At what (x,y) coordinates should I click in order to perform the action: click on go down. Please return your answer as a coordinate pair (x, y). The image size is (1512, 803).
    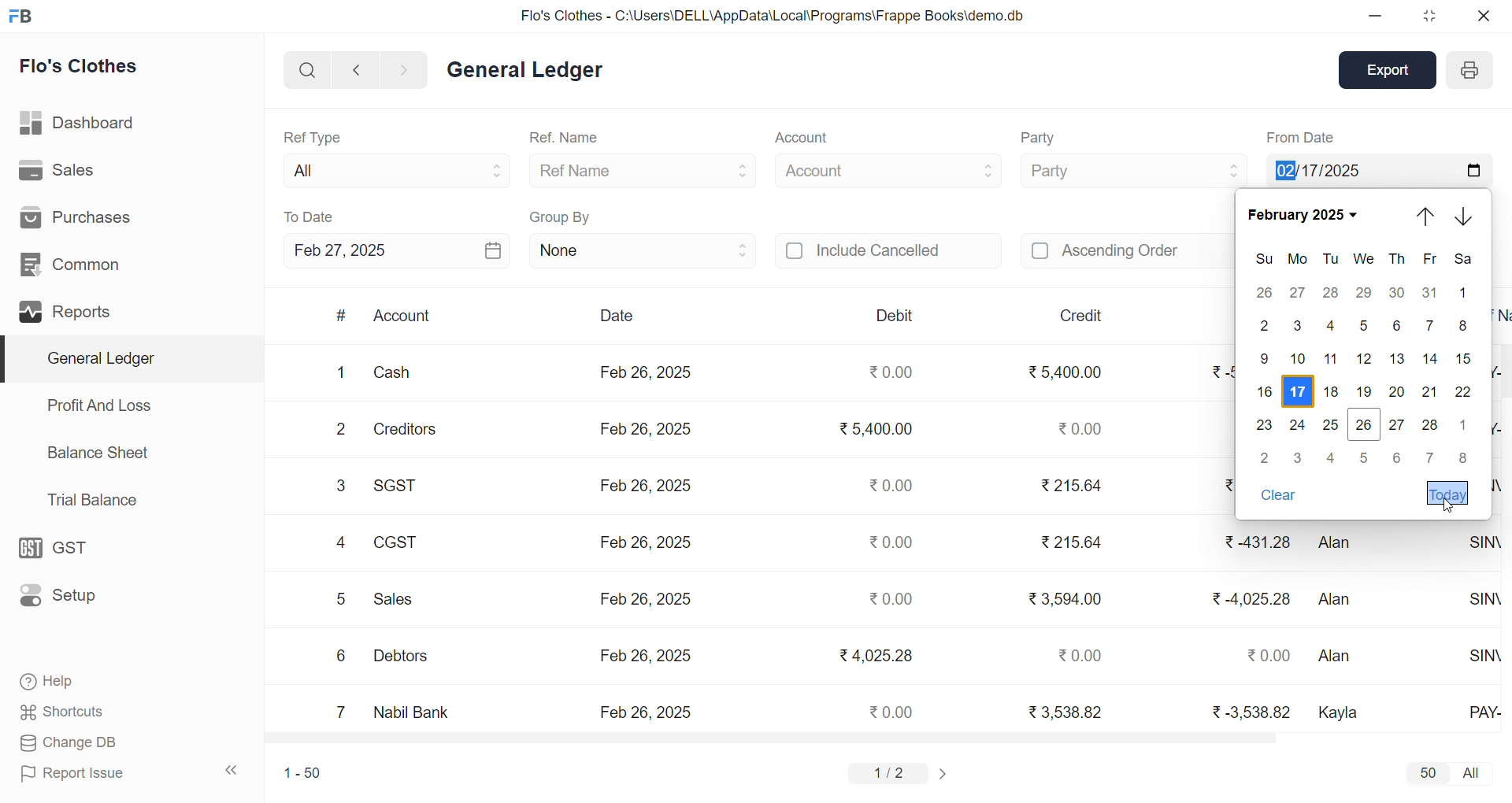
    Looking at the image, I should click on (1466, 217).